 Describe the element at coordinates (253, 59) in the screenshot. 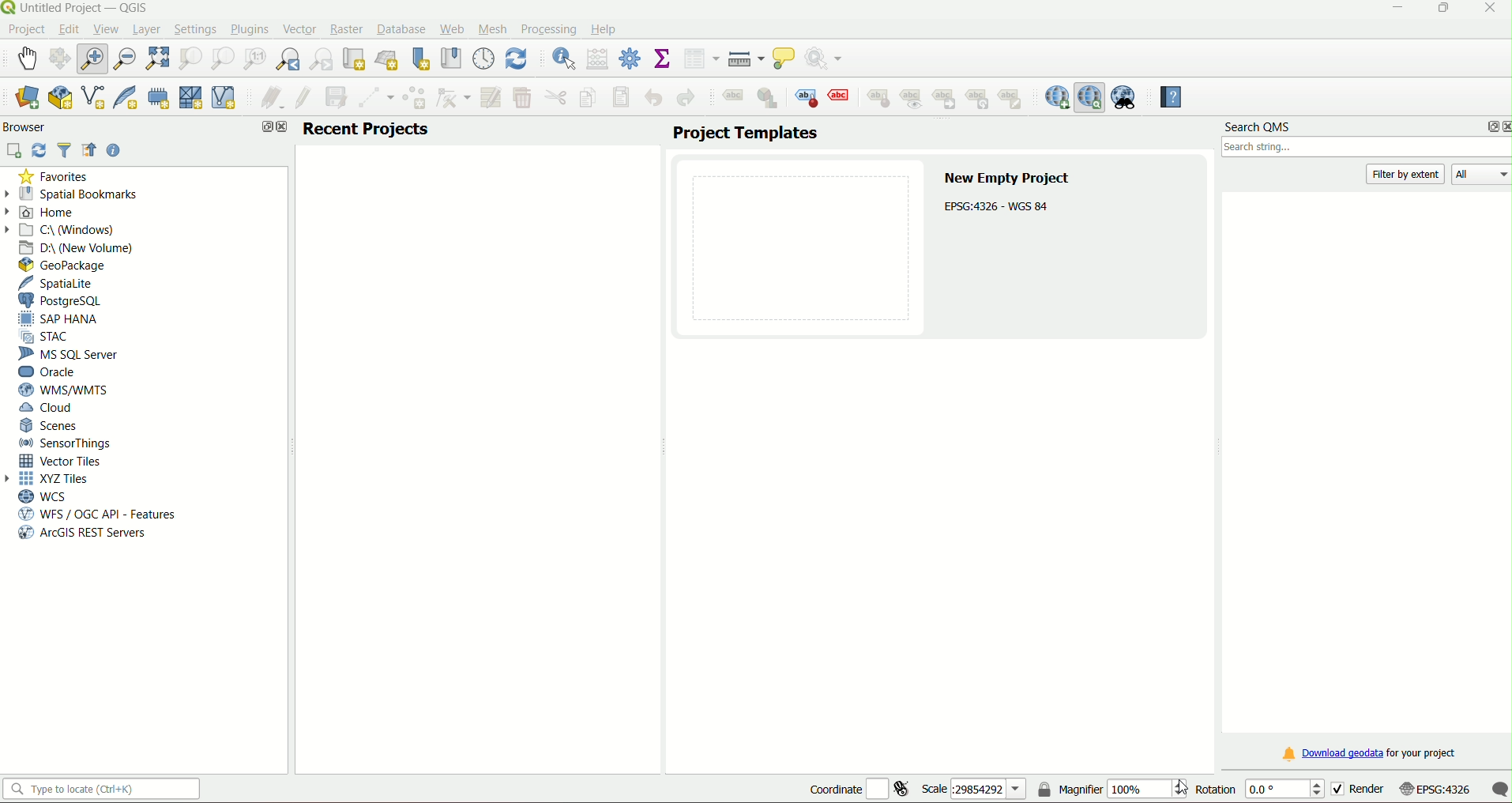

I see `zoom to navigate resolution` at that location.